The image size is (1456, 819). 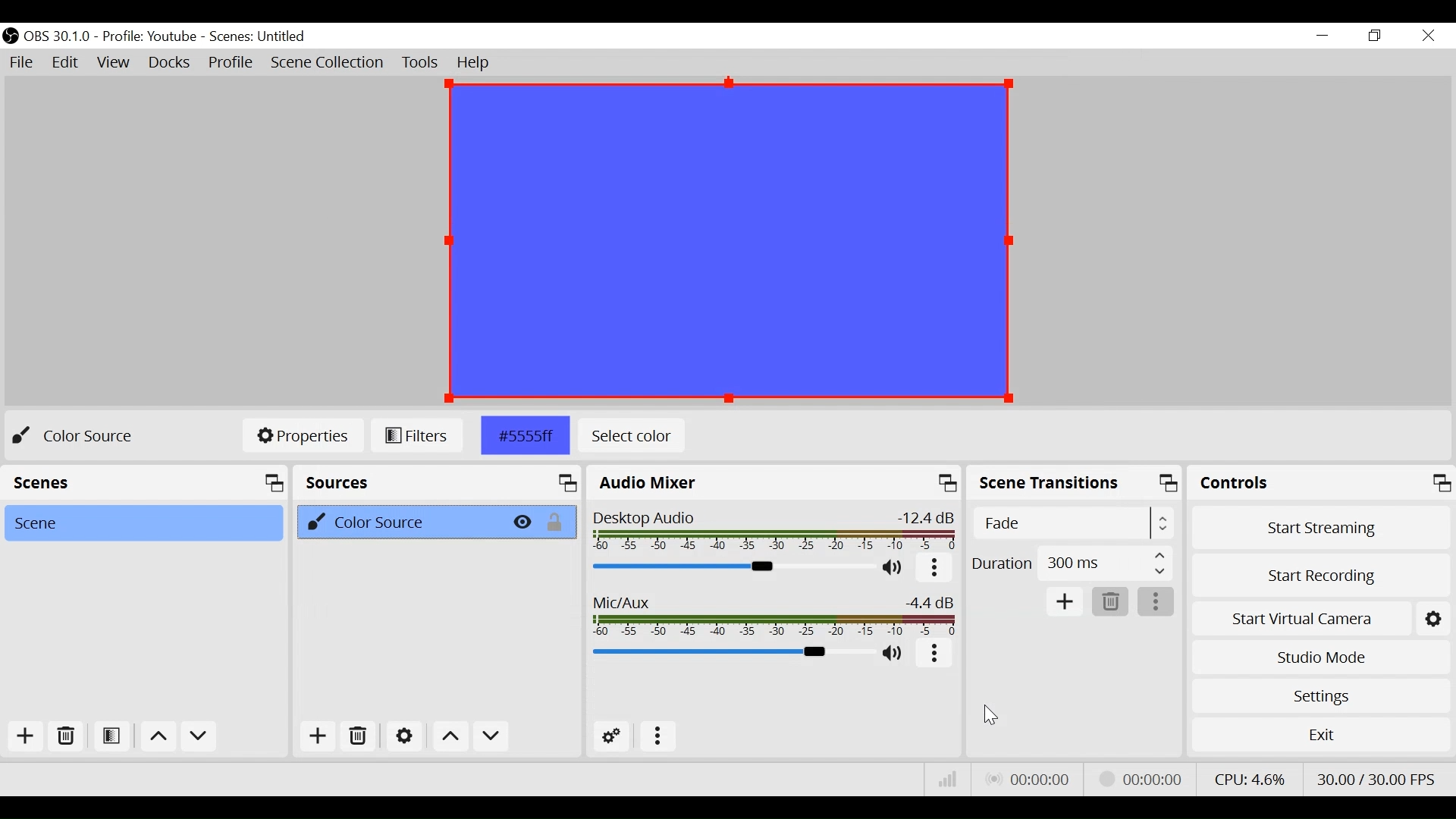 I want to click on Desktop Audio Slider, so click(x=733, y=568).